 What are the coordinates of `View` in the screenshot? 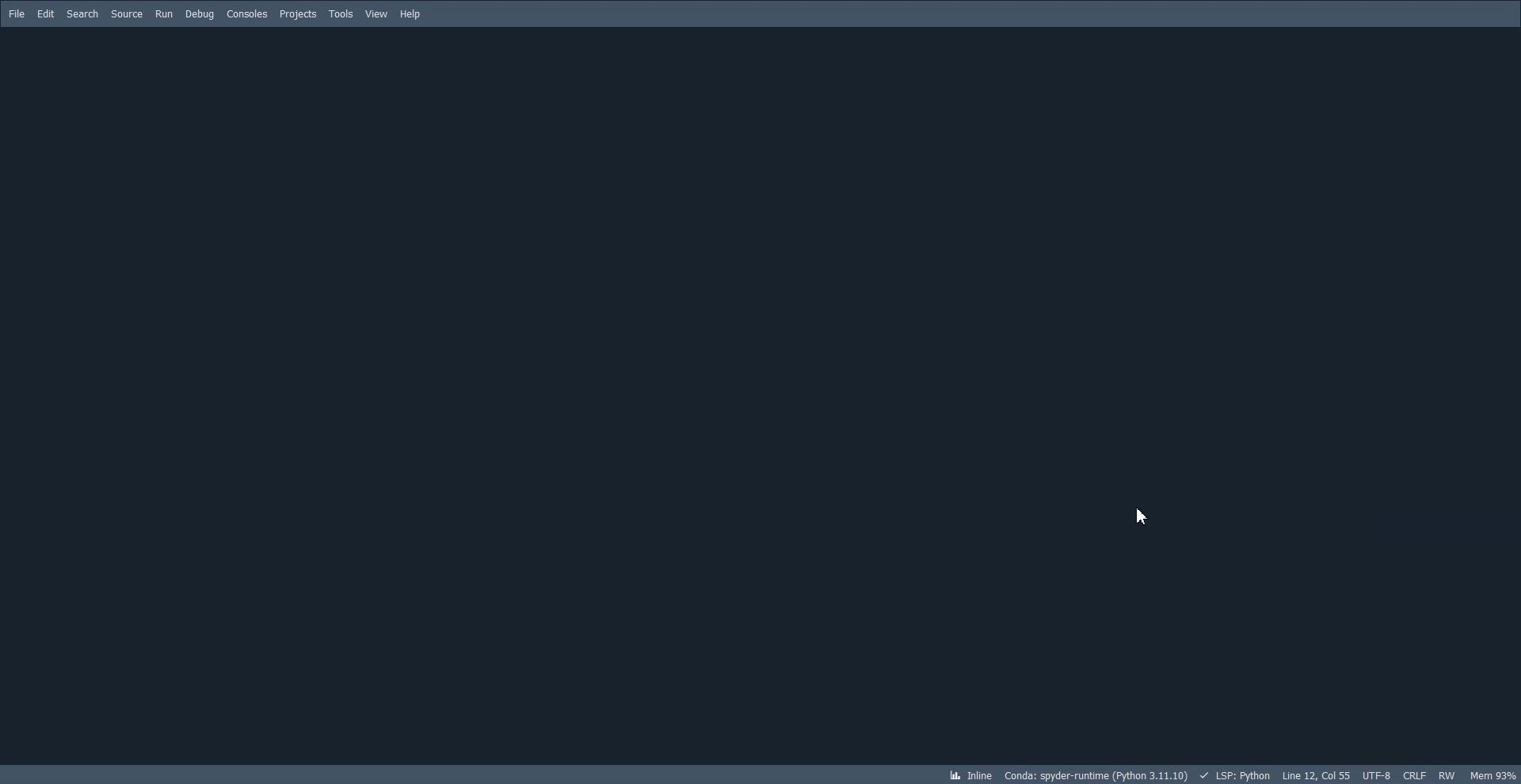 It's located at (376, 13).